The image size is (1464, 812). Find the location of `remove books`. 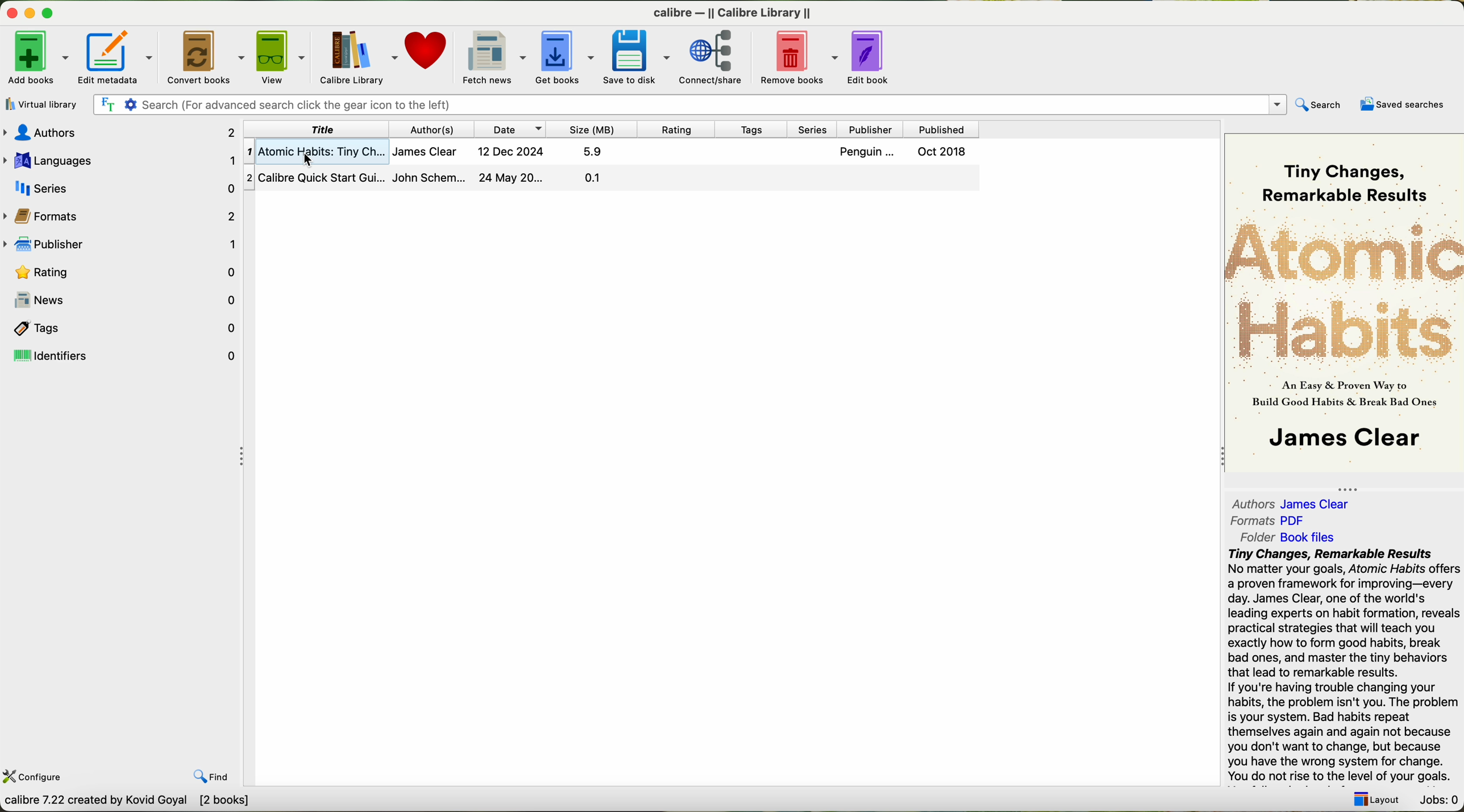

remove books is located at coordinates (798, 57).